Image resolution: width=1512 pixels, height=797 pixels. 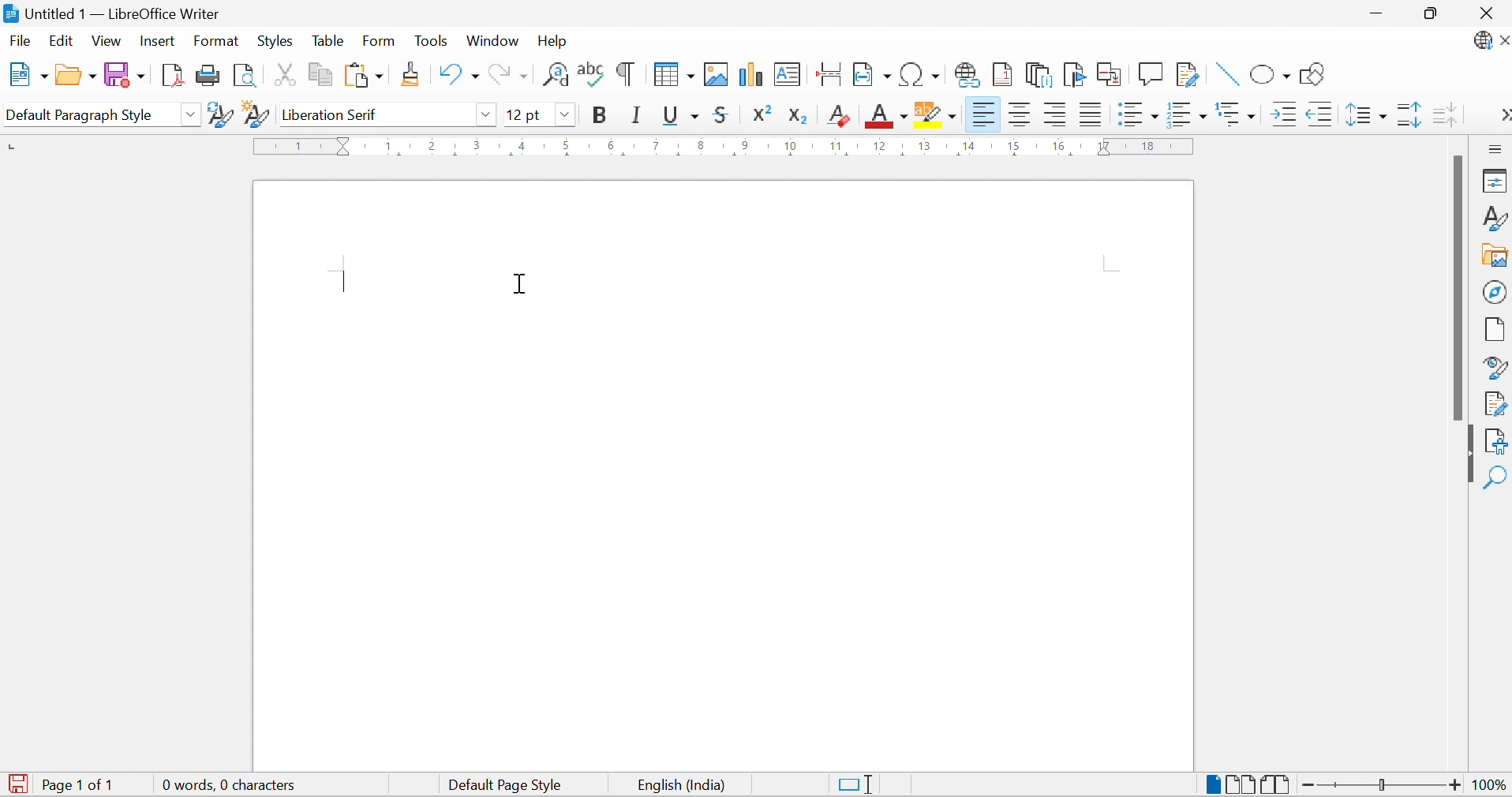 What do you see at coordinates (207, 75) in the screenshot?
I see `Print` at bounding box center [207, 75].